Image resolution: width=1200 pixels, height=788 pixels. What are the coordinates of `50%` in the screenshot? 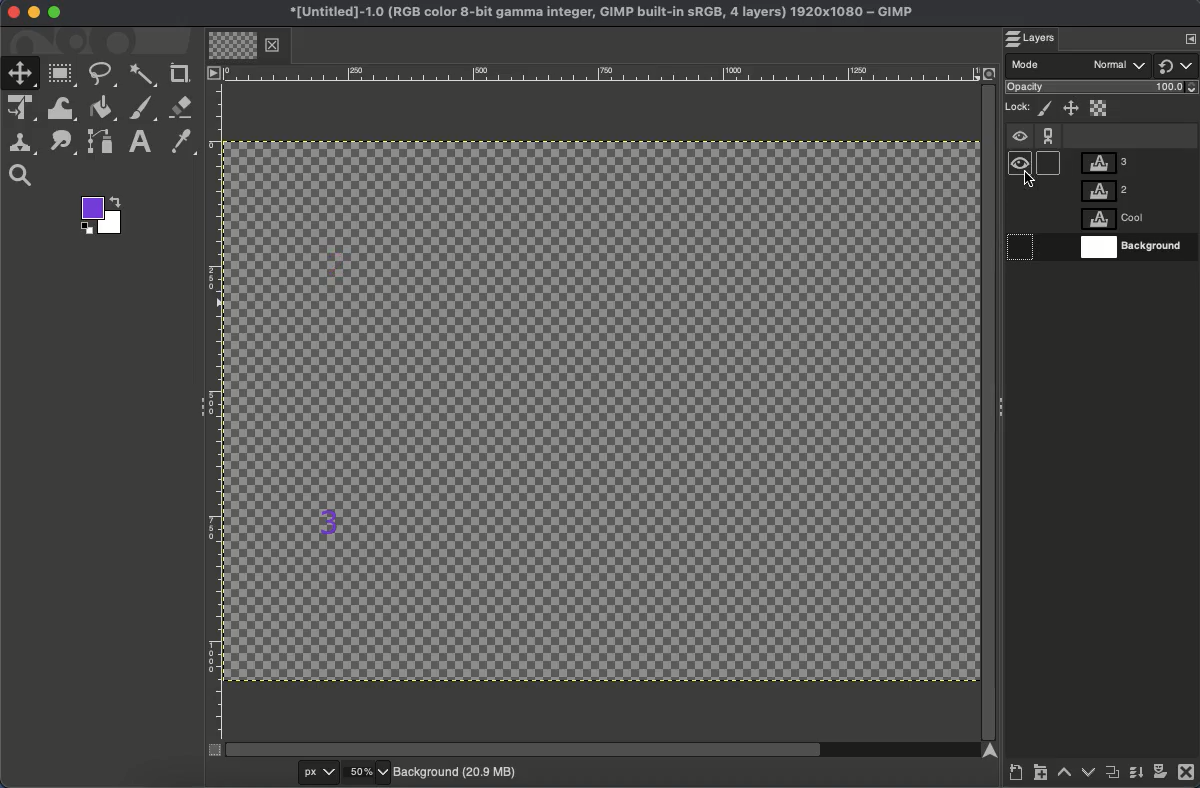 It's located at (366, 772).